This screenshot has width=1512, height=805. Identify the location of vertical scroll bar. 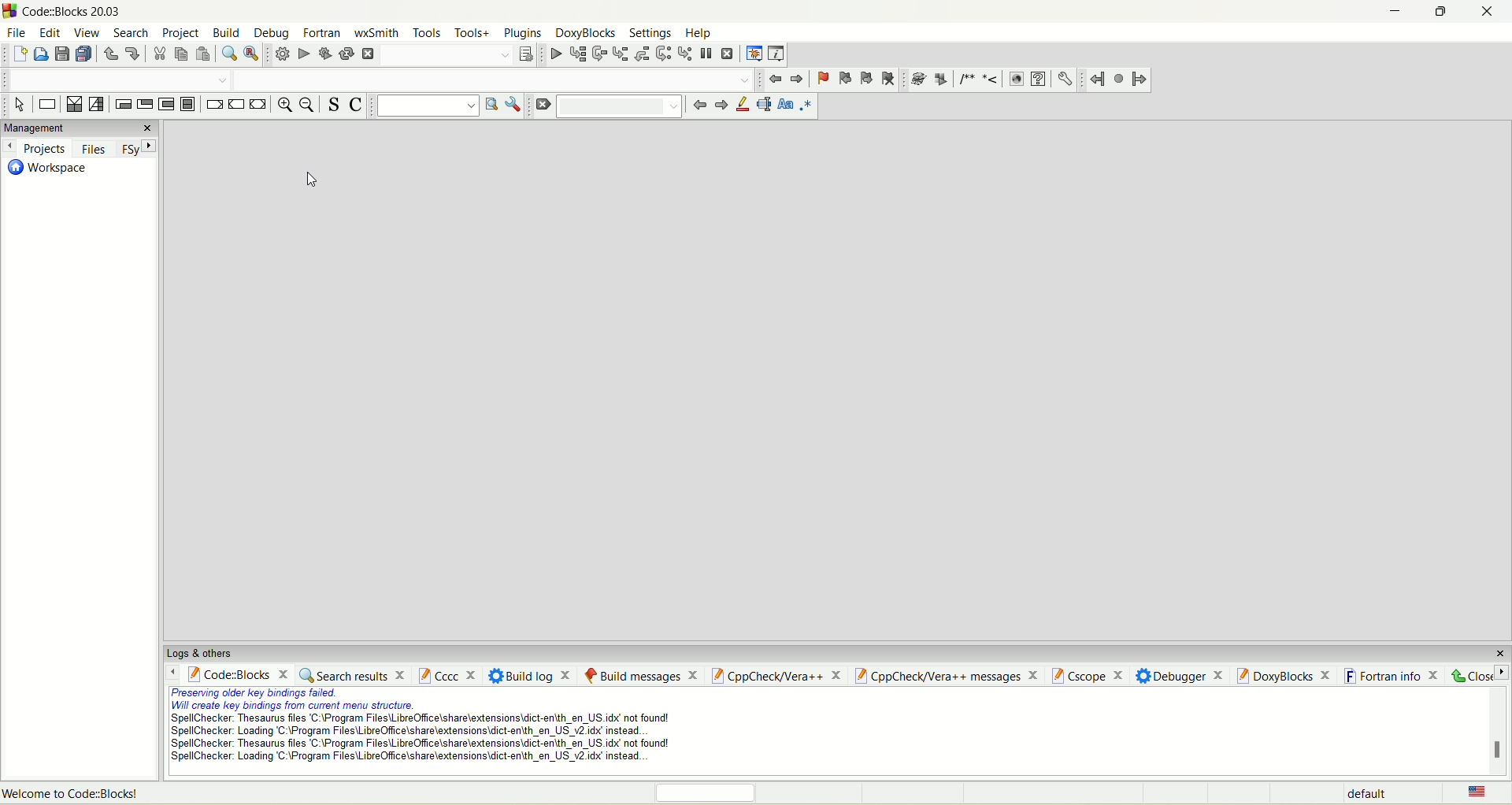
(1499, 732).